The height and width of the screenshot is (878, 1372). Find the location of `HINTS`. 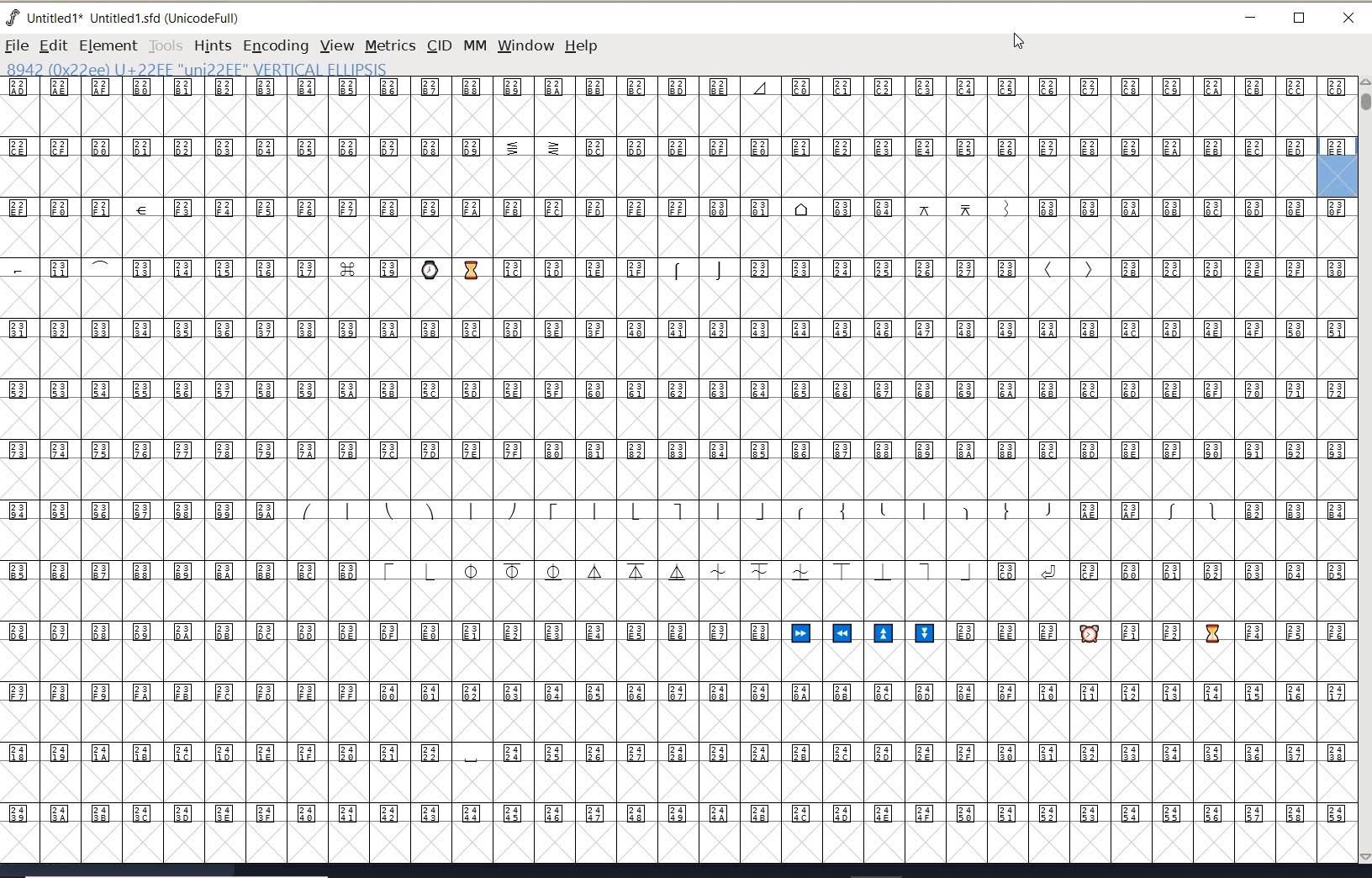

HINTS is located at coordinates (212, 46).